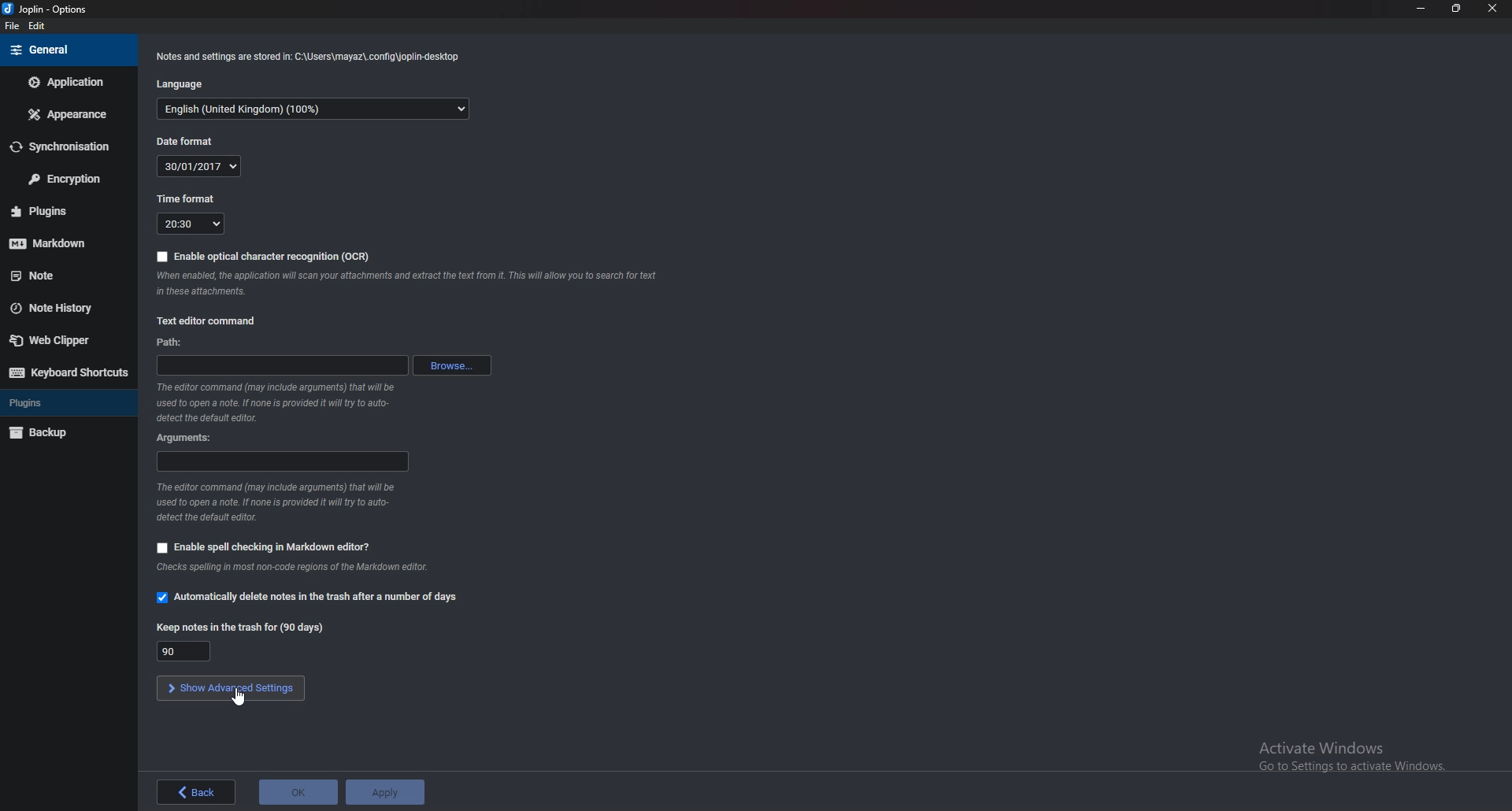 The width and height of the screenshot is (1512, 811). Describe the element at coordinates (208, 319) in the screenshot. I see `Text editor command` at that location.